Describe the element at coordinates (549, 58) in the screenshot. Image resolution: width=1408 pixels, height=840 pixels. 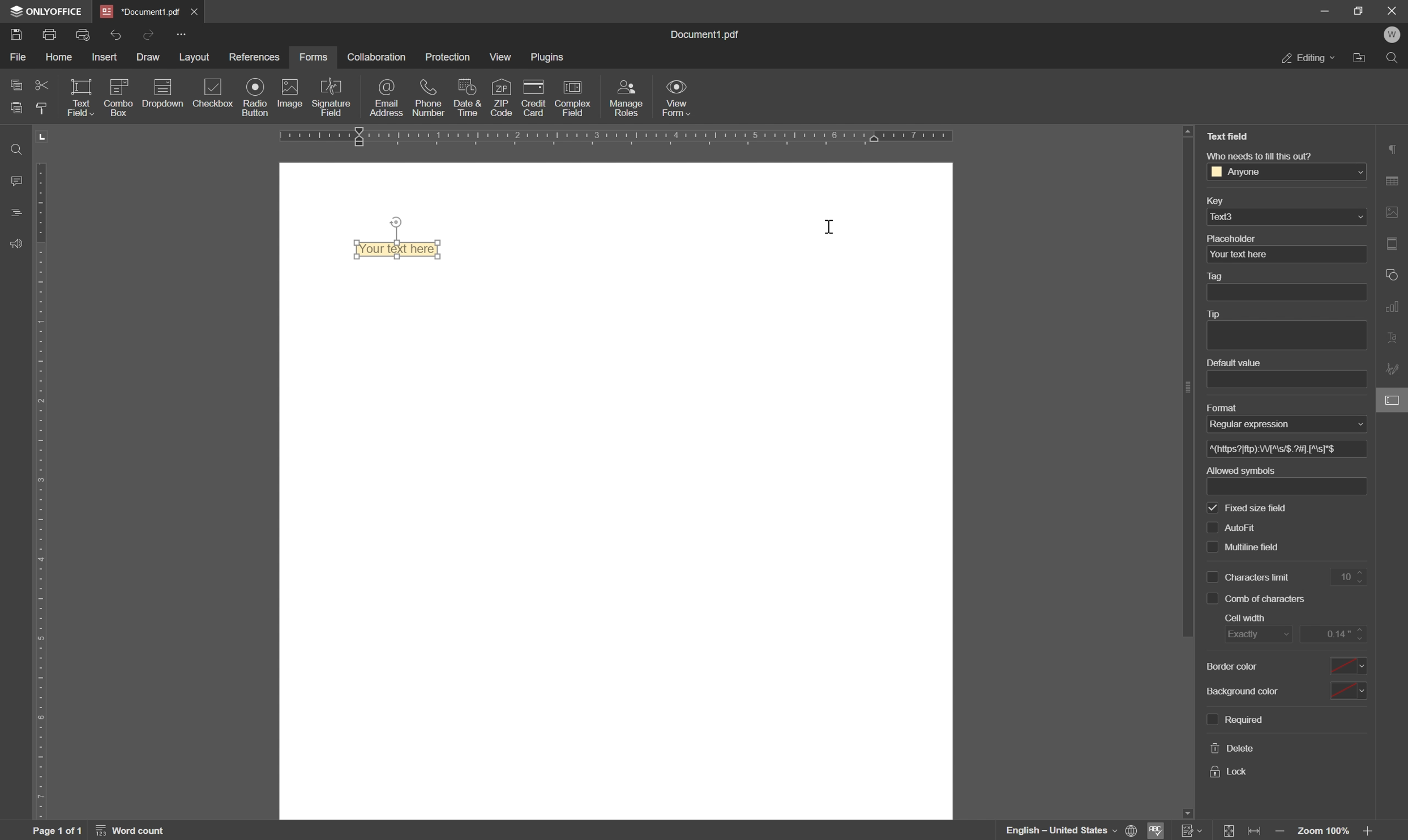
I see `plugins` at that location.